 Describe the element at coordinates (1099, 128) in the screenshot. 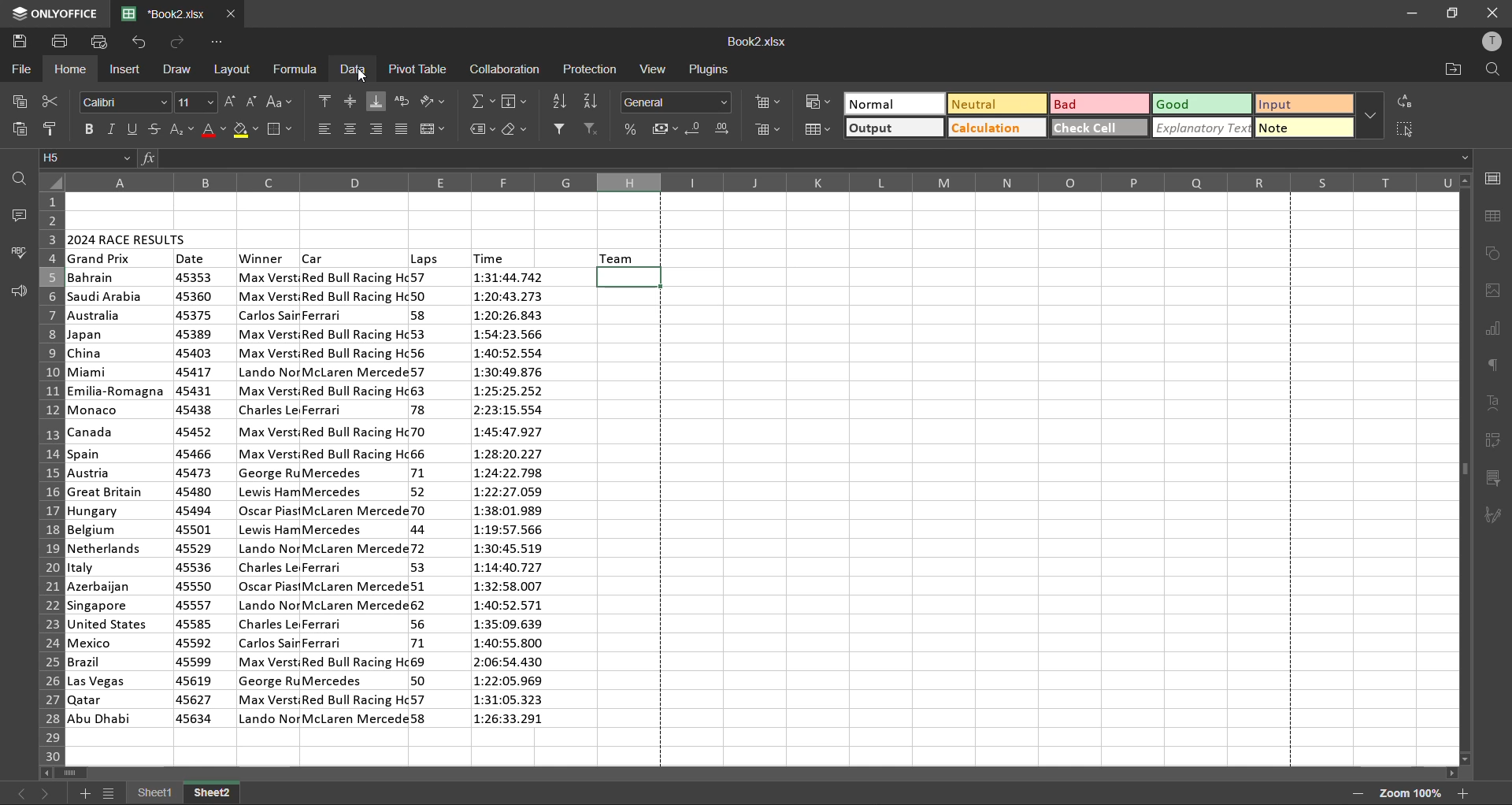

I see `check cell` at that location.